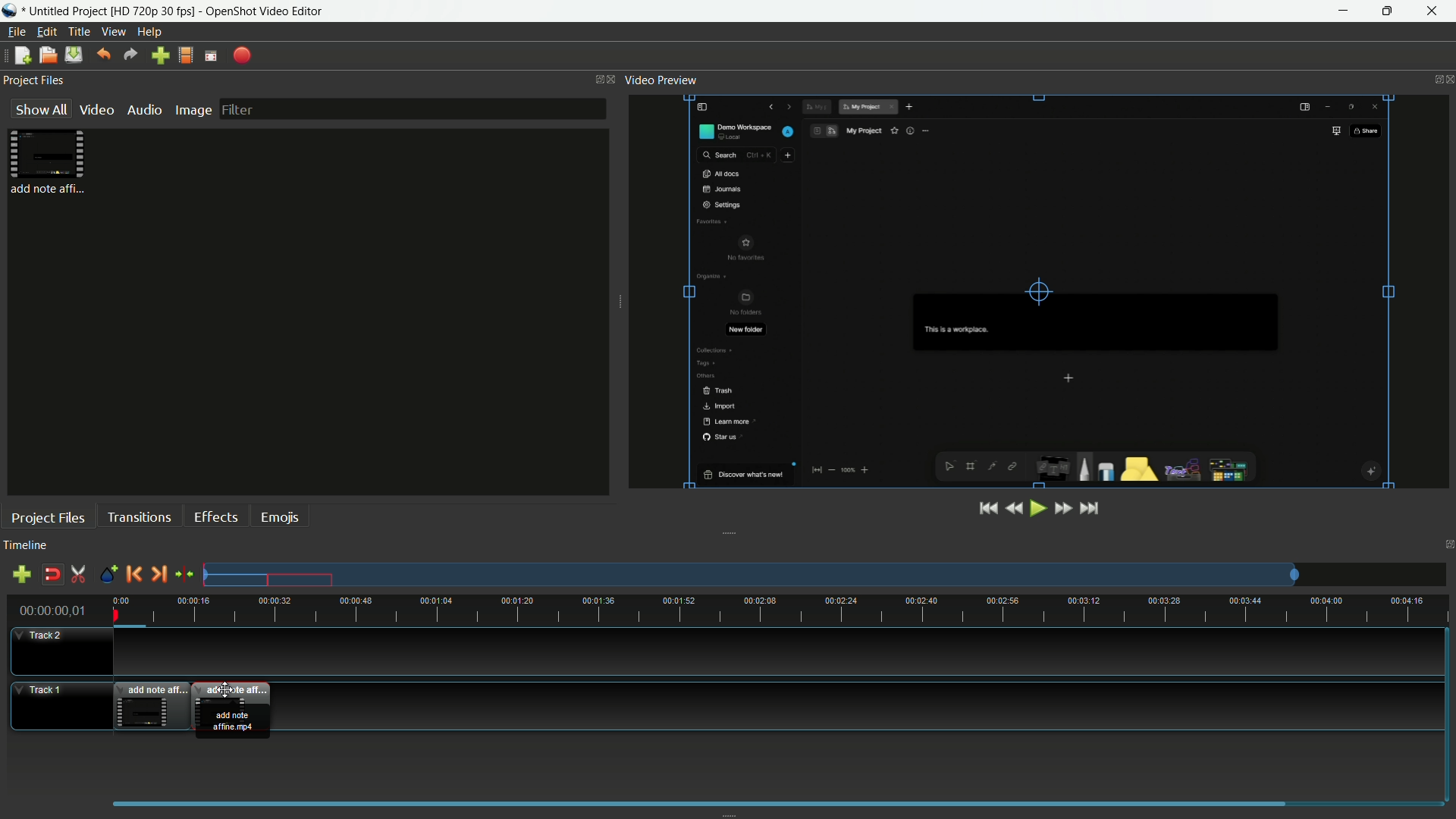  What do you see at coordinates (34, 80) in the screenshot?
I see `project files` at bounding box center [34, 80].